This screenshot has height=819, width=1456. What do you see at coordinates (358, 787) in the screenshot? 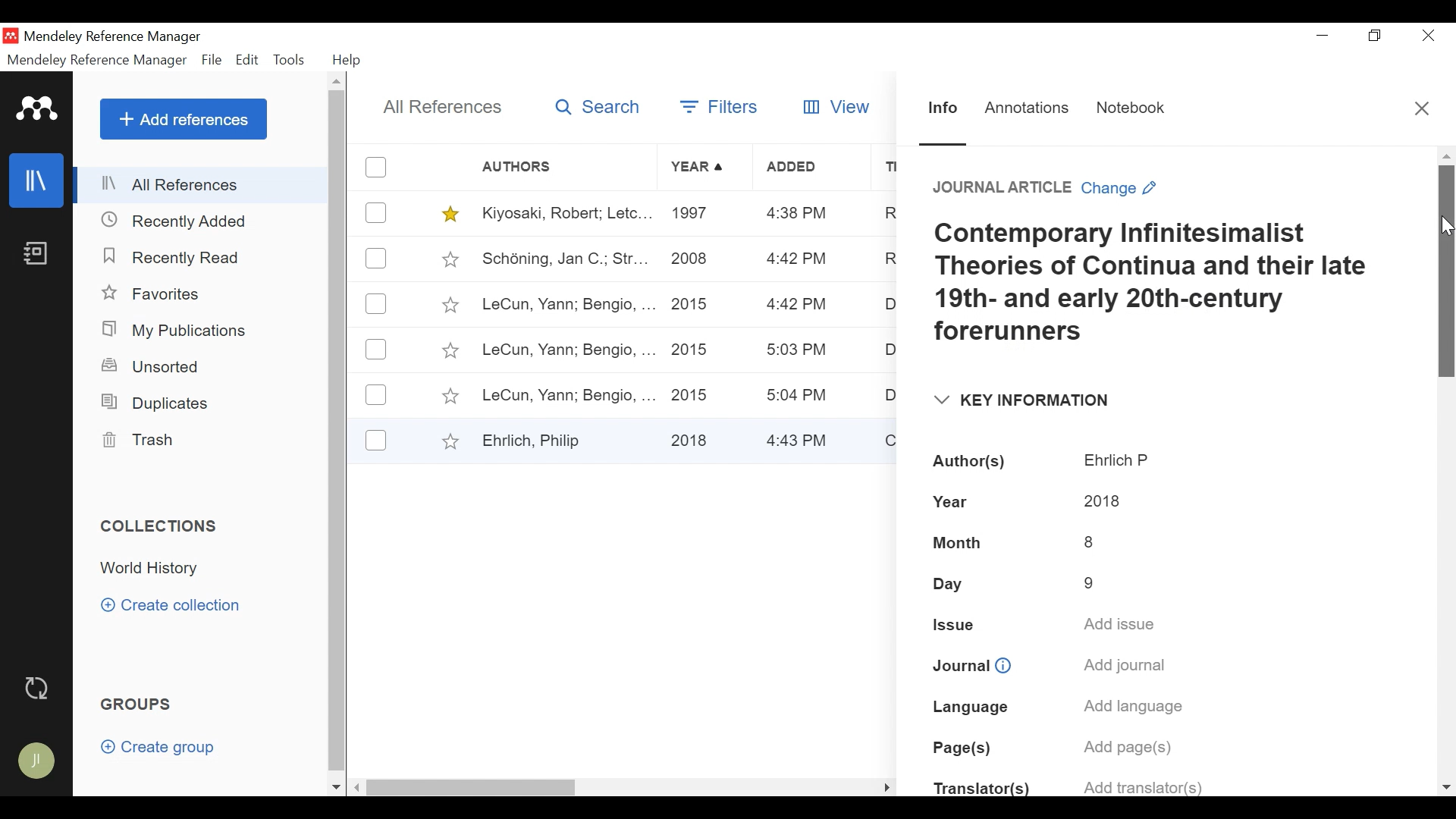
I see `scroll left` at bounding box center [358, 787].